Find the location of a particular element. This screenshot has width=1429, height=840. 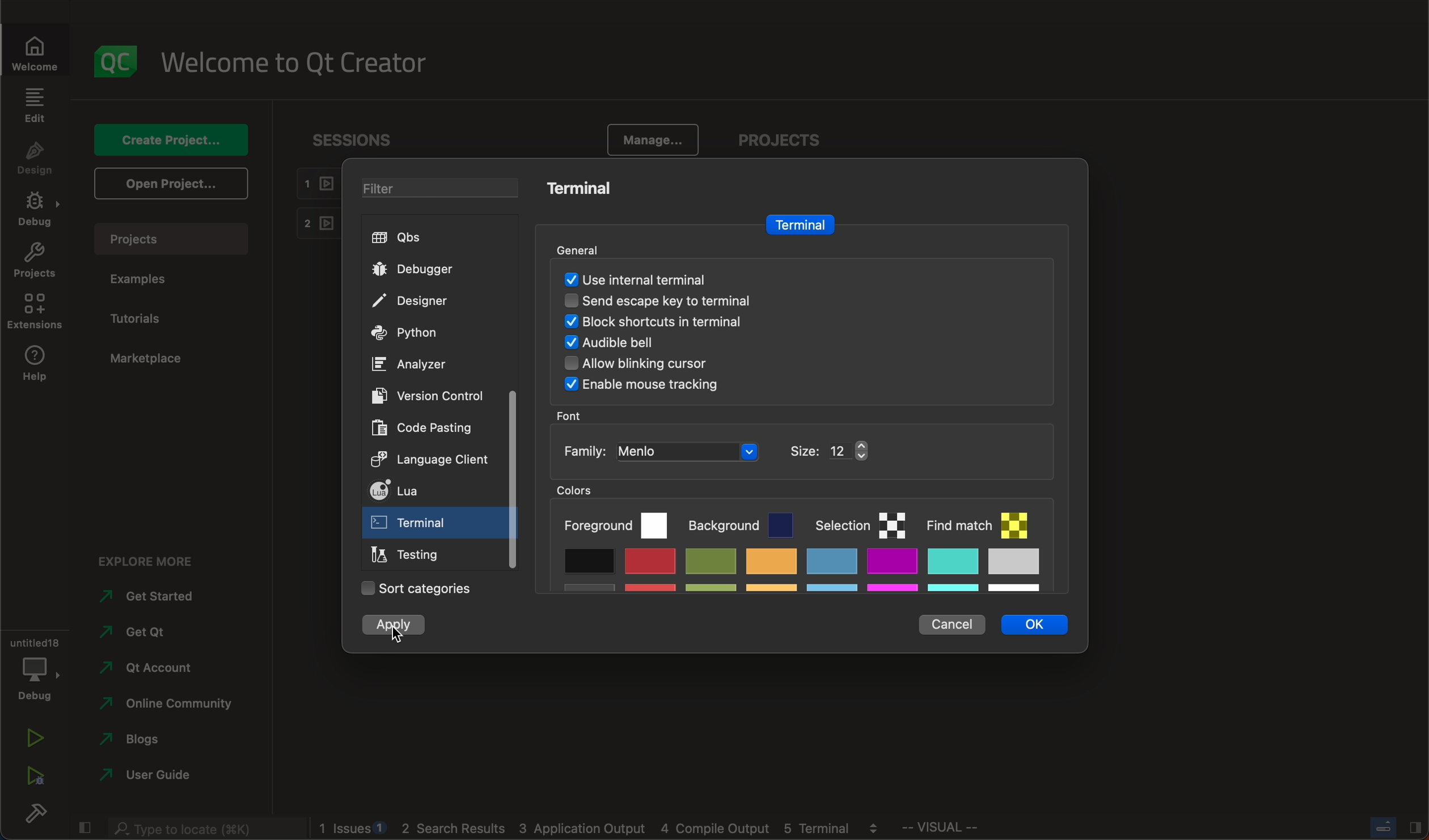

started is located at coordinates (156, 597).